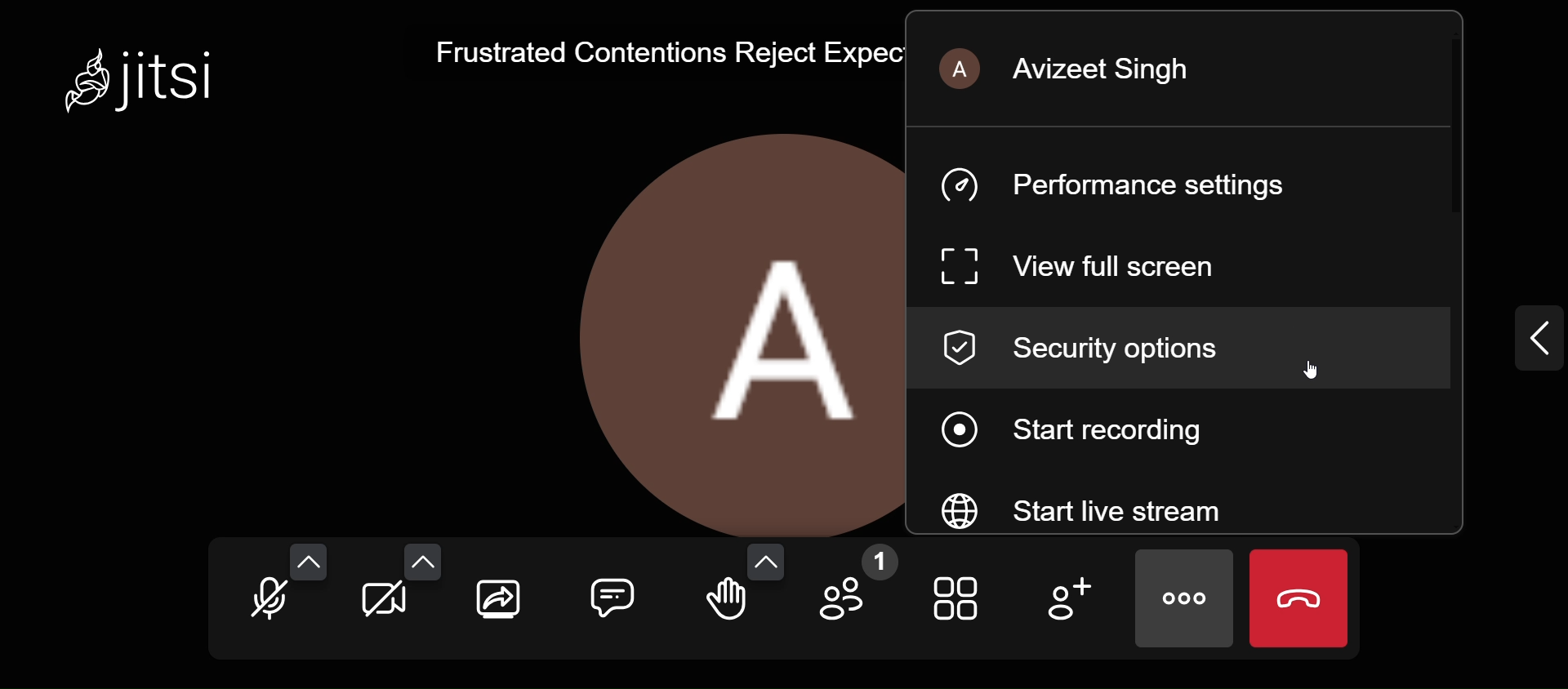 This screenshot has height=689, width=1568. I want to click on unmute mic, so click(269, 599).